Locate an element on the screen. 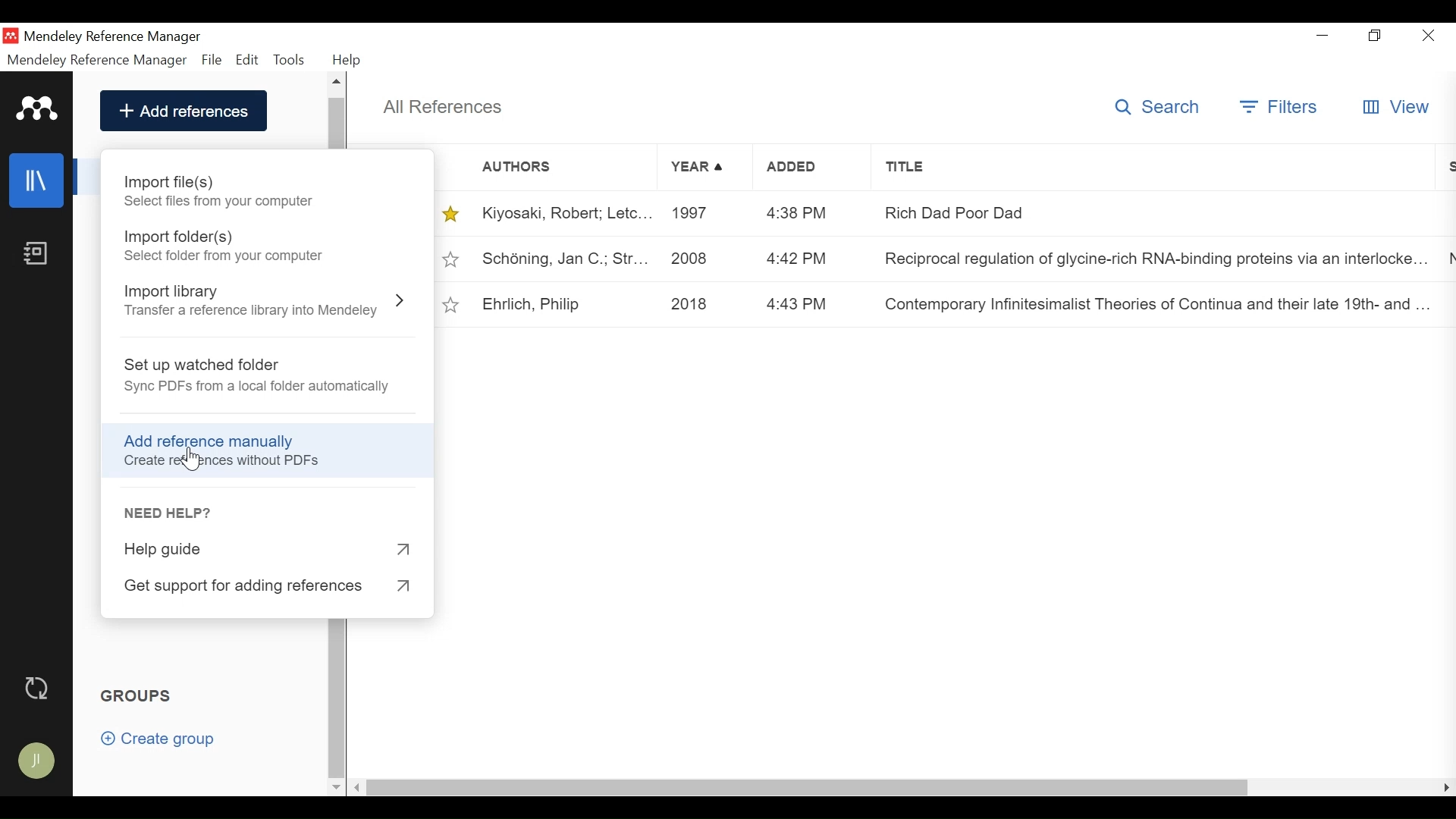 The height and width of the screenshot is (819, 1456). Contemporary Infinitesimalist theories of continua and their late 19th and... is located at coordinates (1152, 304).